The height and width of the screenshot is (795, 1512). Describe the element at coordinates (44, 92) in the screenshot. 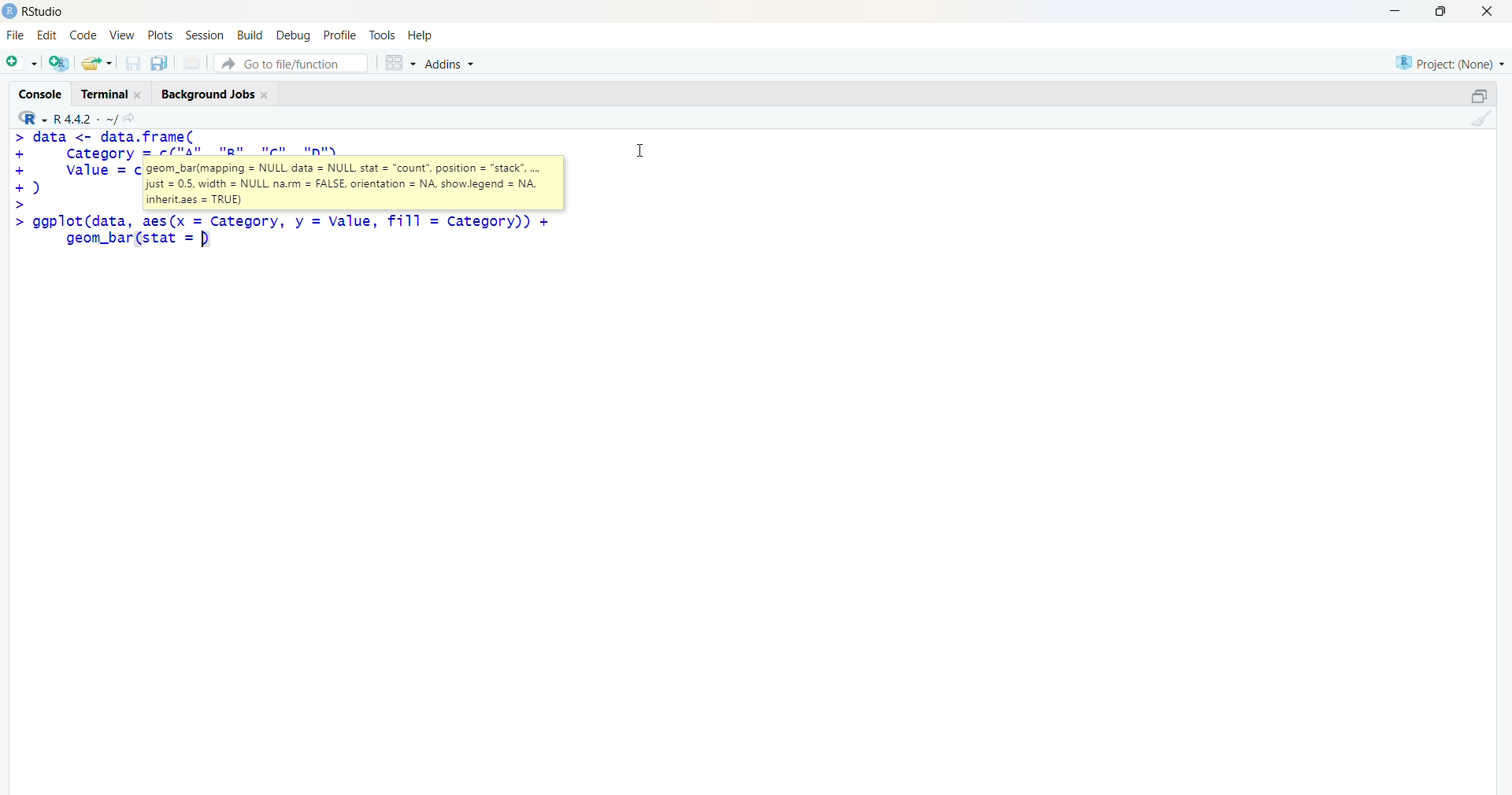

I see `Console` at that location.